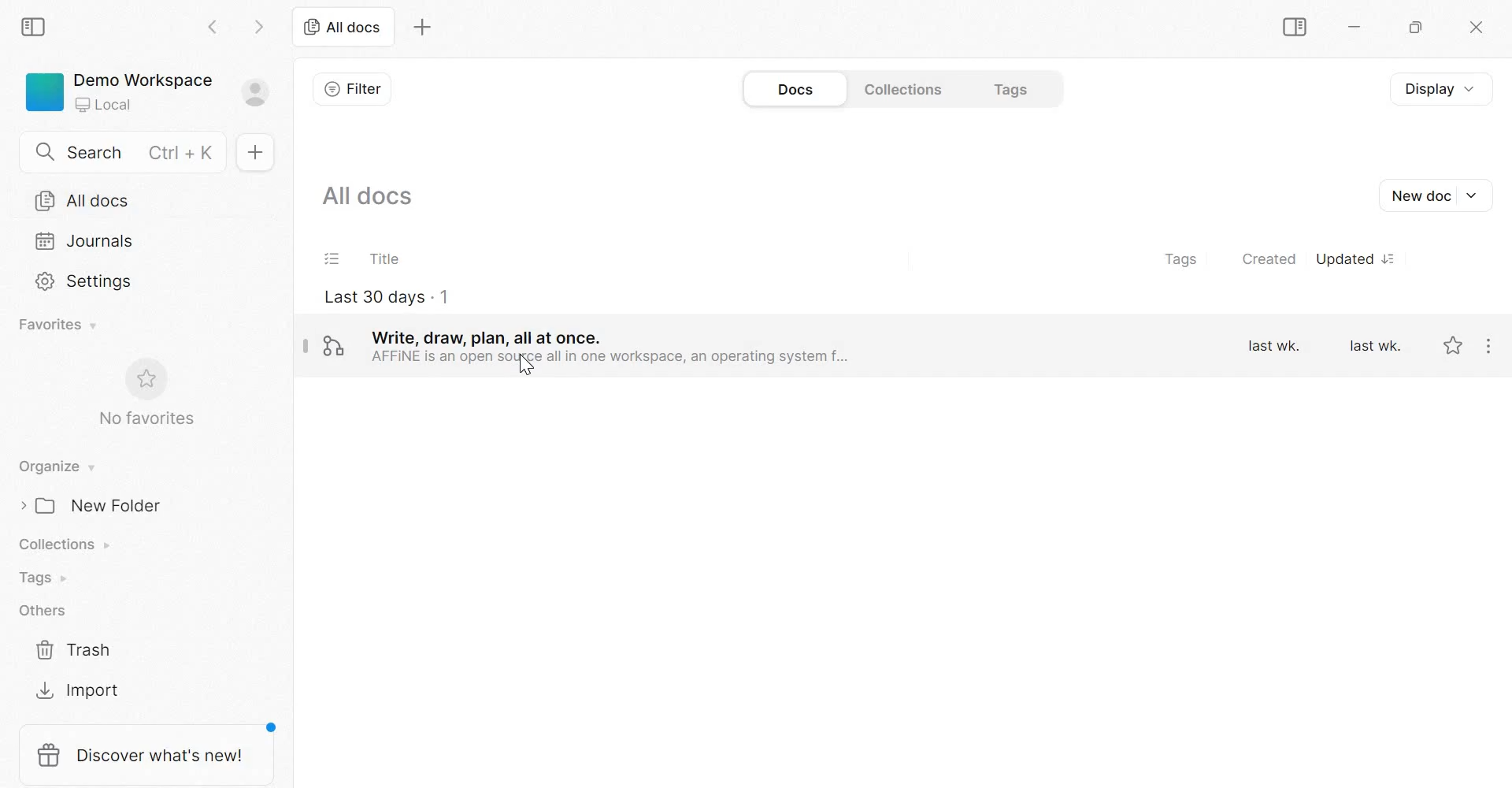  What do you see at coordinates (352, 89) in the screenshot?
I see `Filter` at bounding box center [352, 89].